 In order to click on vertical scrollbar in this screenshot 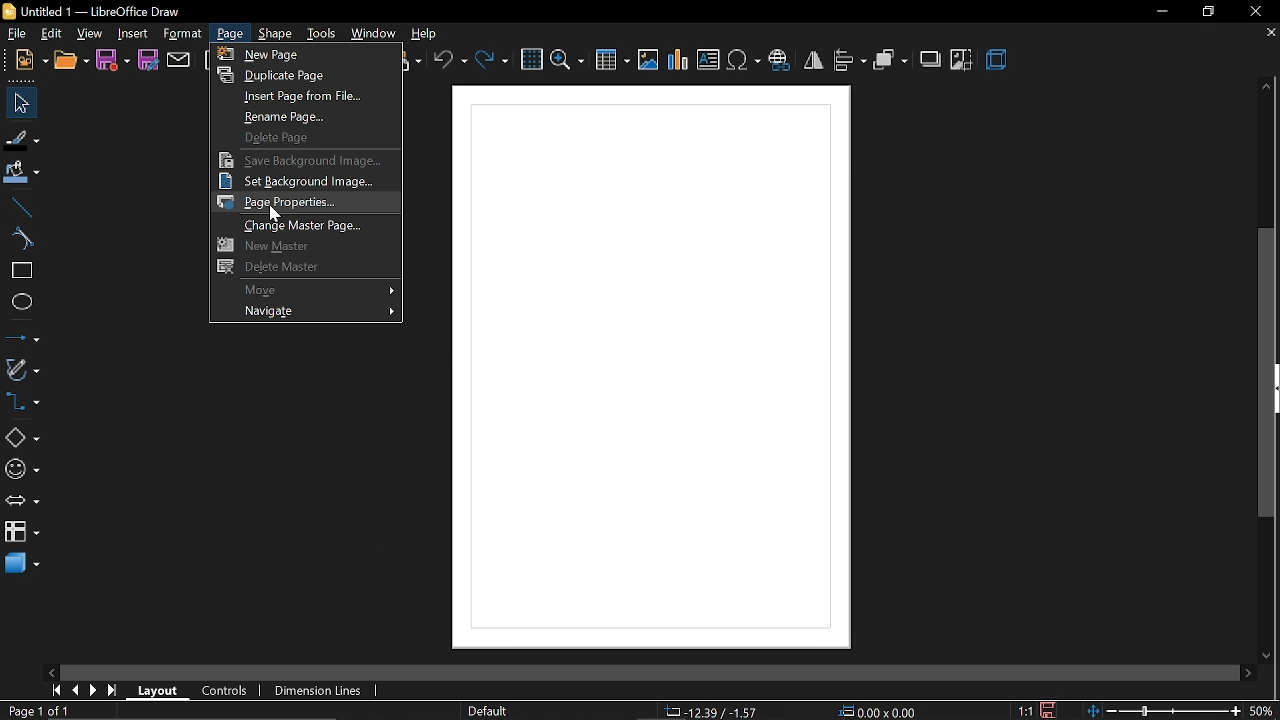, I will do `click(1269, 373)`.